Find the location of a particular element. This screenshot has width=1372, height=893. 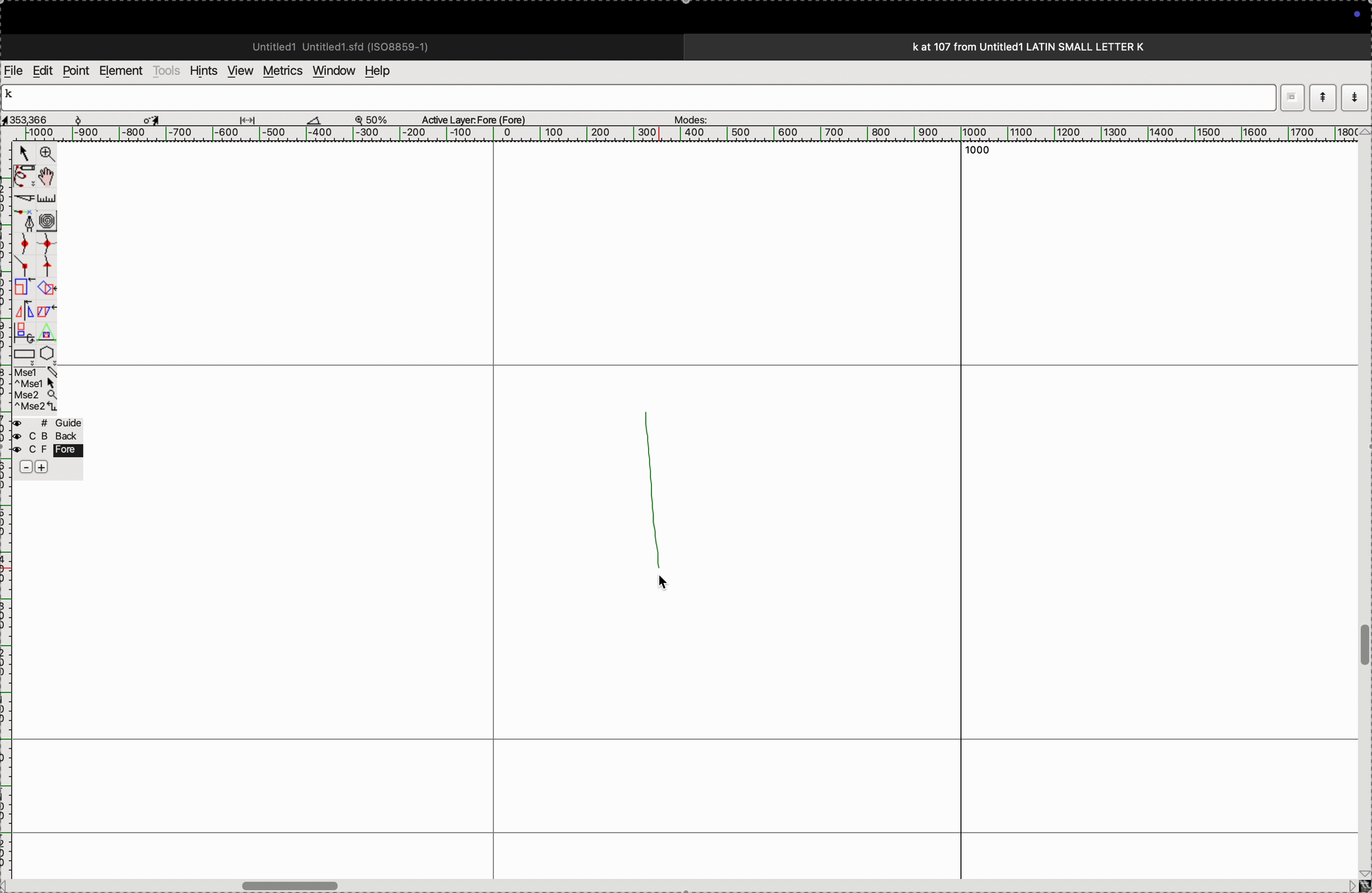

active kayer is located at coordinates (481, 119).